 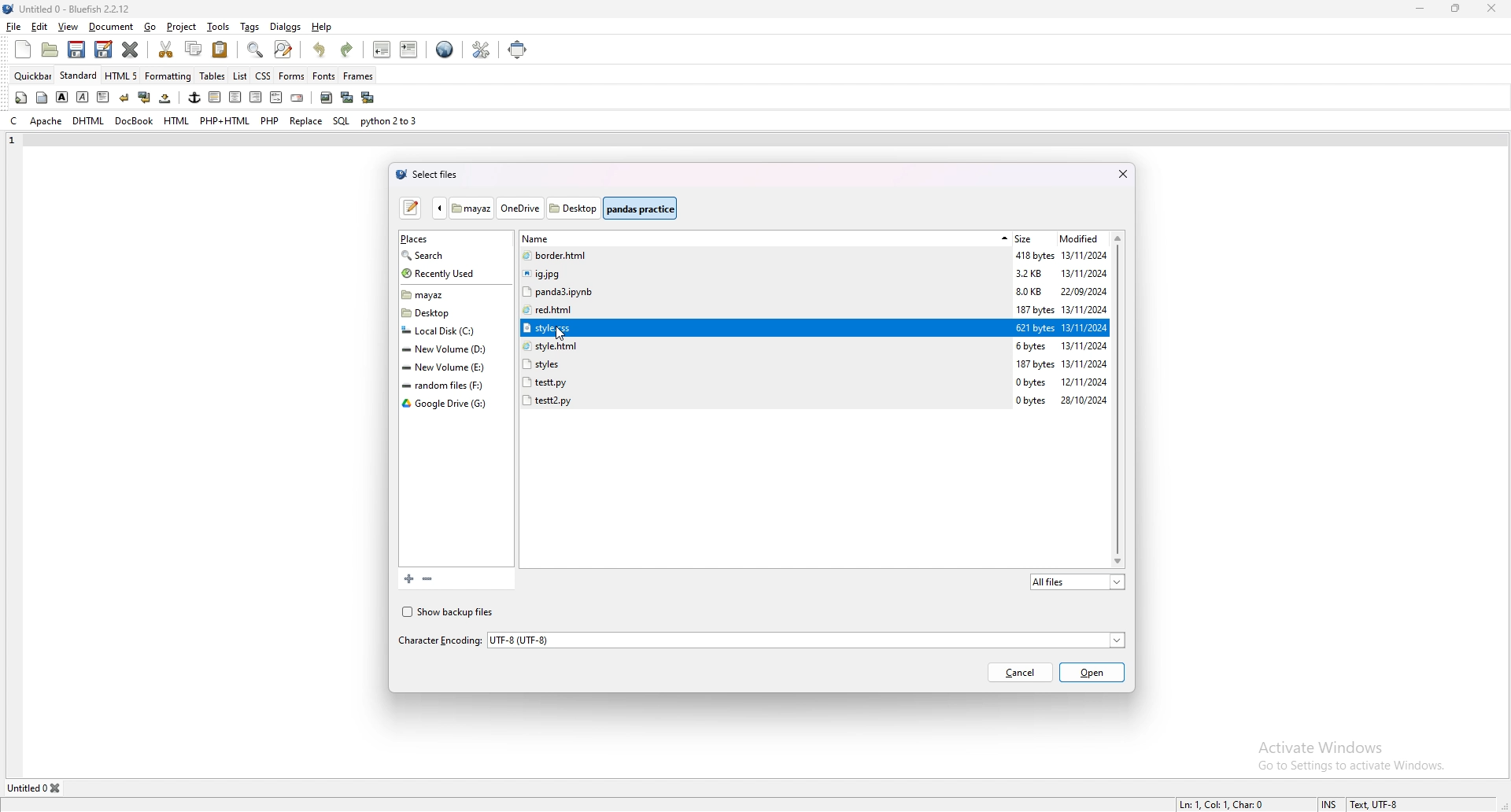 What do you see at coordinates (23, 50) in the screenshot?
I see `new` at bounding box center [23, 50].